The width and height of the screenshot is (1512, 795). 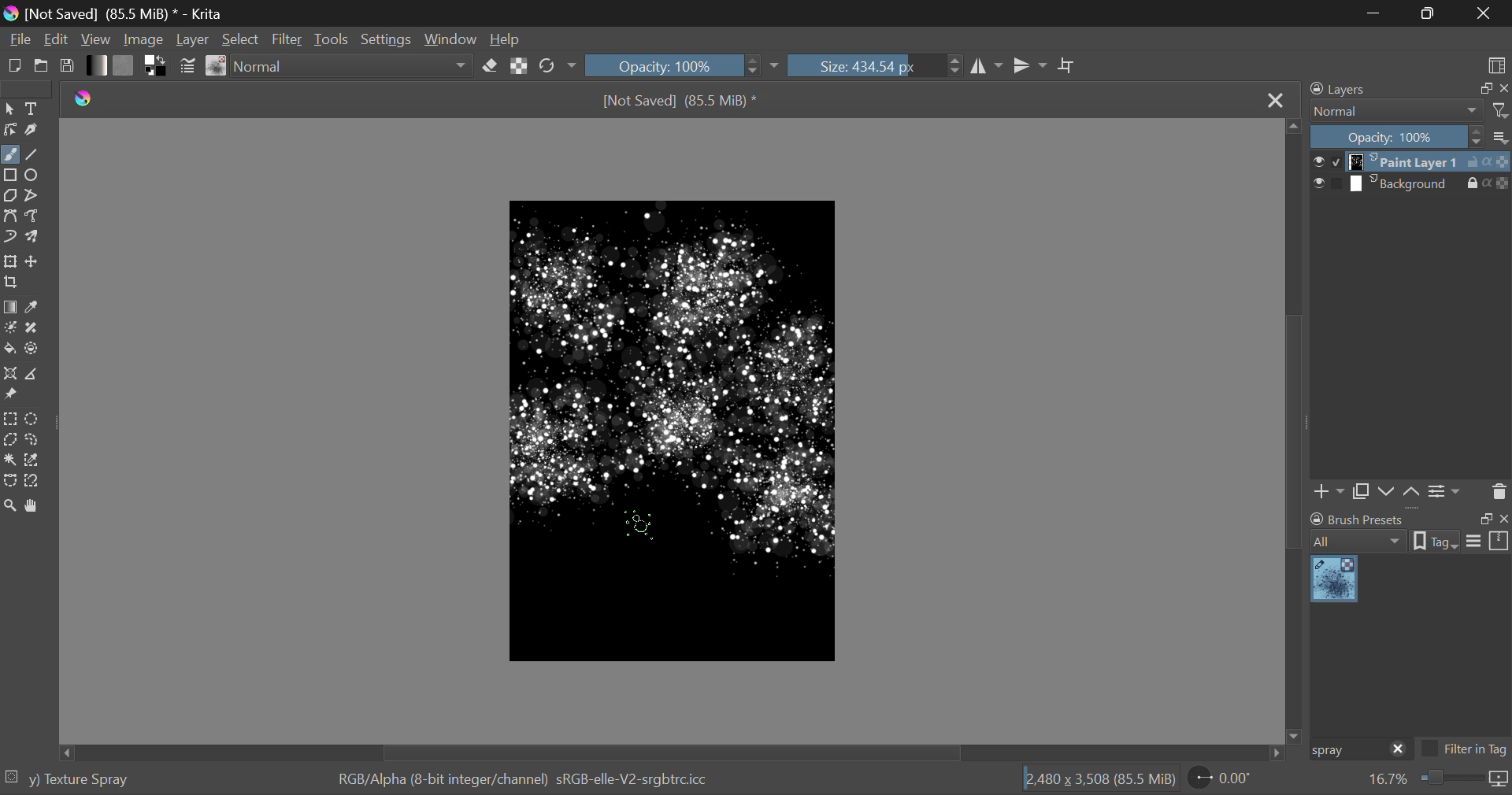 I want to click on checkbox, so click(x=1326, y=161).